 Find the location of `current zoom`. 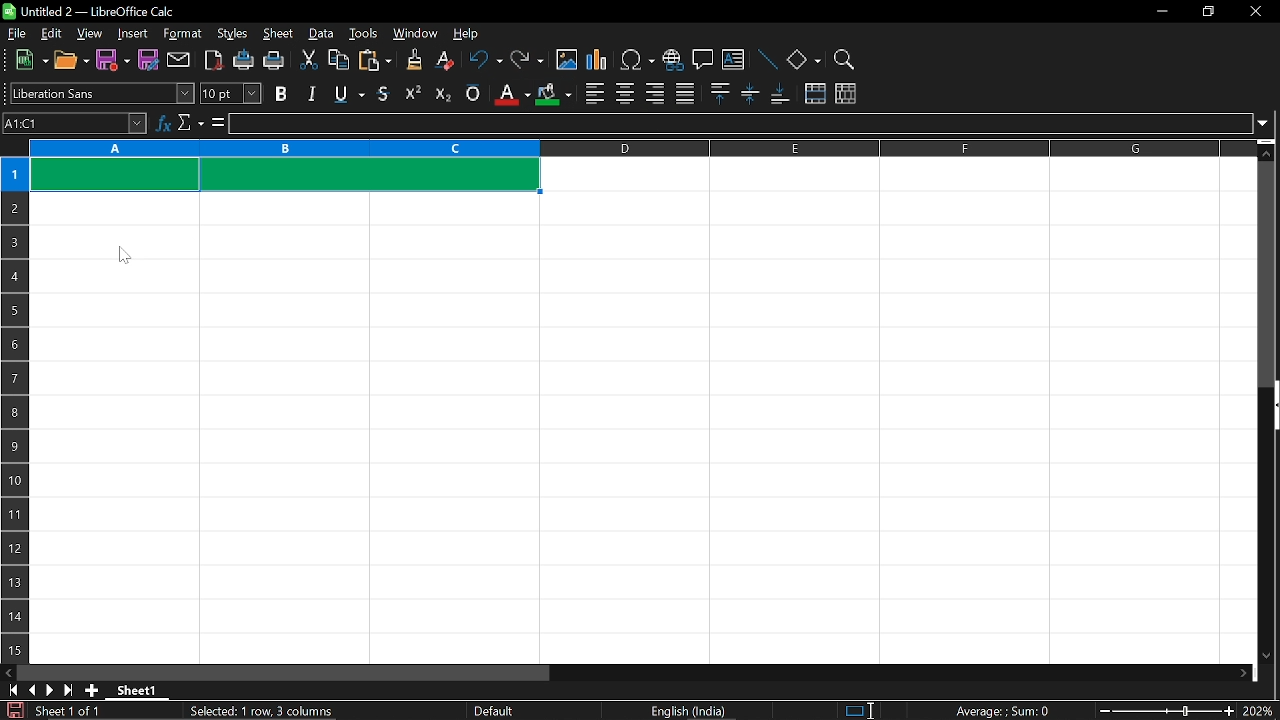

current zoom is located at coordinates (1260, 712).